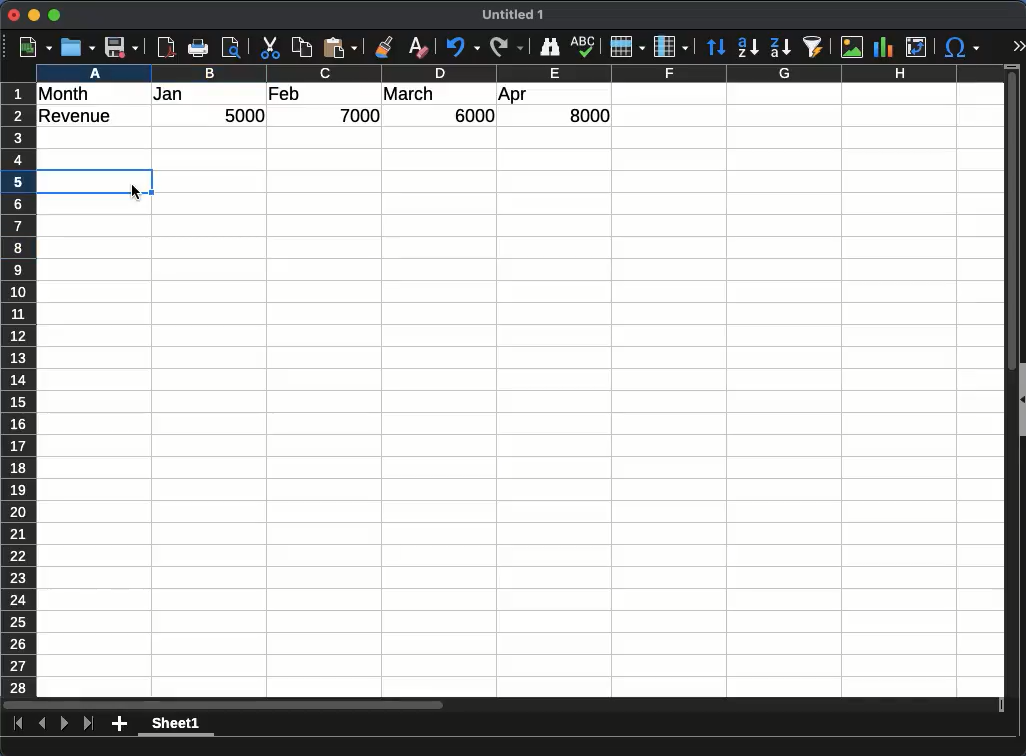 Image resolution: width=1026 pixels, height=756 pixels. I want to click on 5000, so click(244, 115).